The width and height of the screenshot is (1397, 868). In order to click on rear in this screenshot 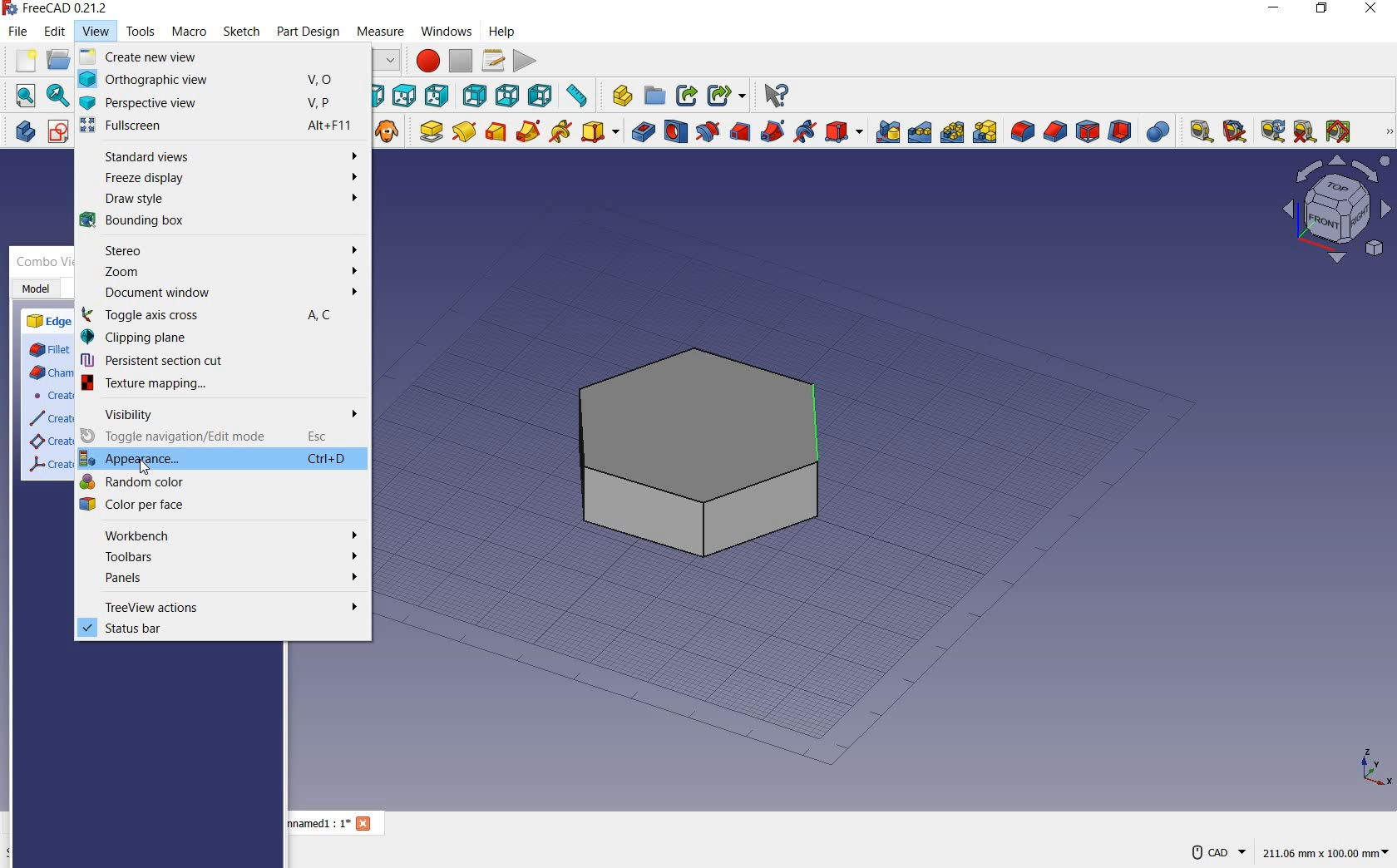, I will do `click(475, 96)`.